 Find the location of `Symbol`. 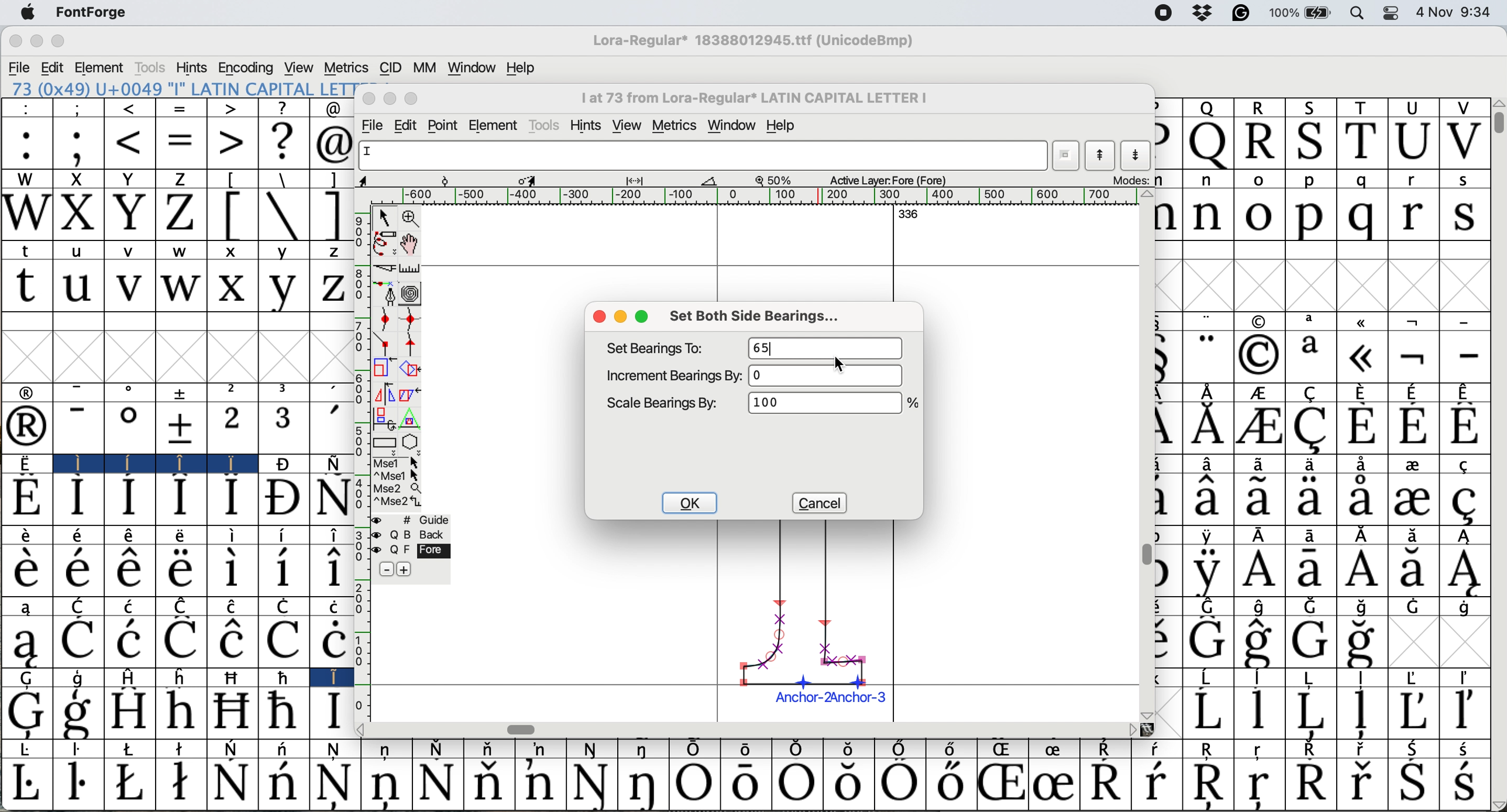

Symbol is located at coordinates (645, 785).